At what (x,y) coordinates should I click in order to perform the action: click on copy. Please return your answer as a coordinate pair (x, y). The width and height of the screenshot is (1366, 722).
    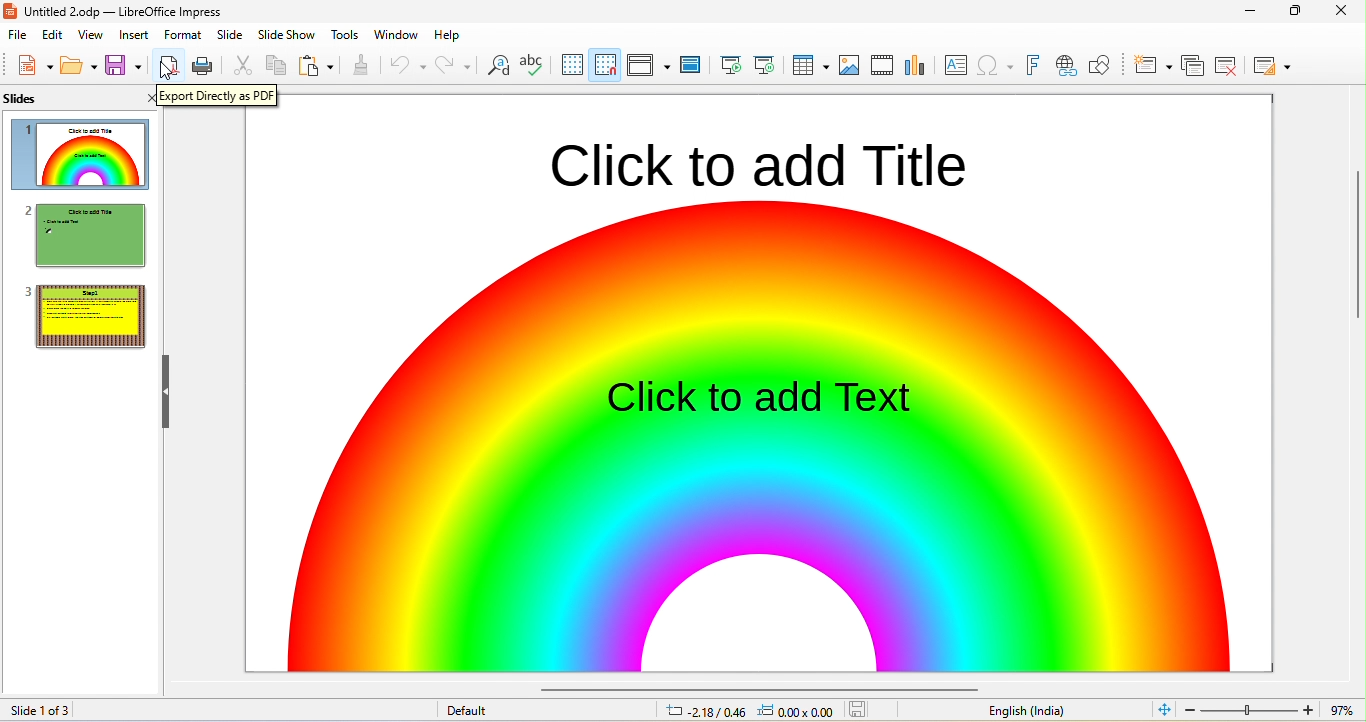
    Looking at the image, I should click on (277, 65).